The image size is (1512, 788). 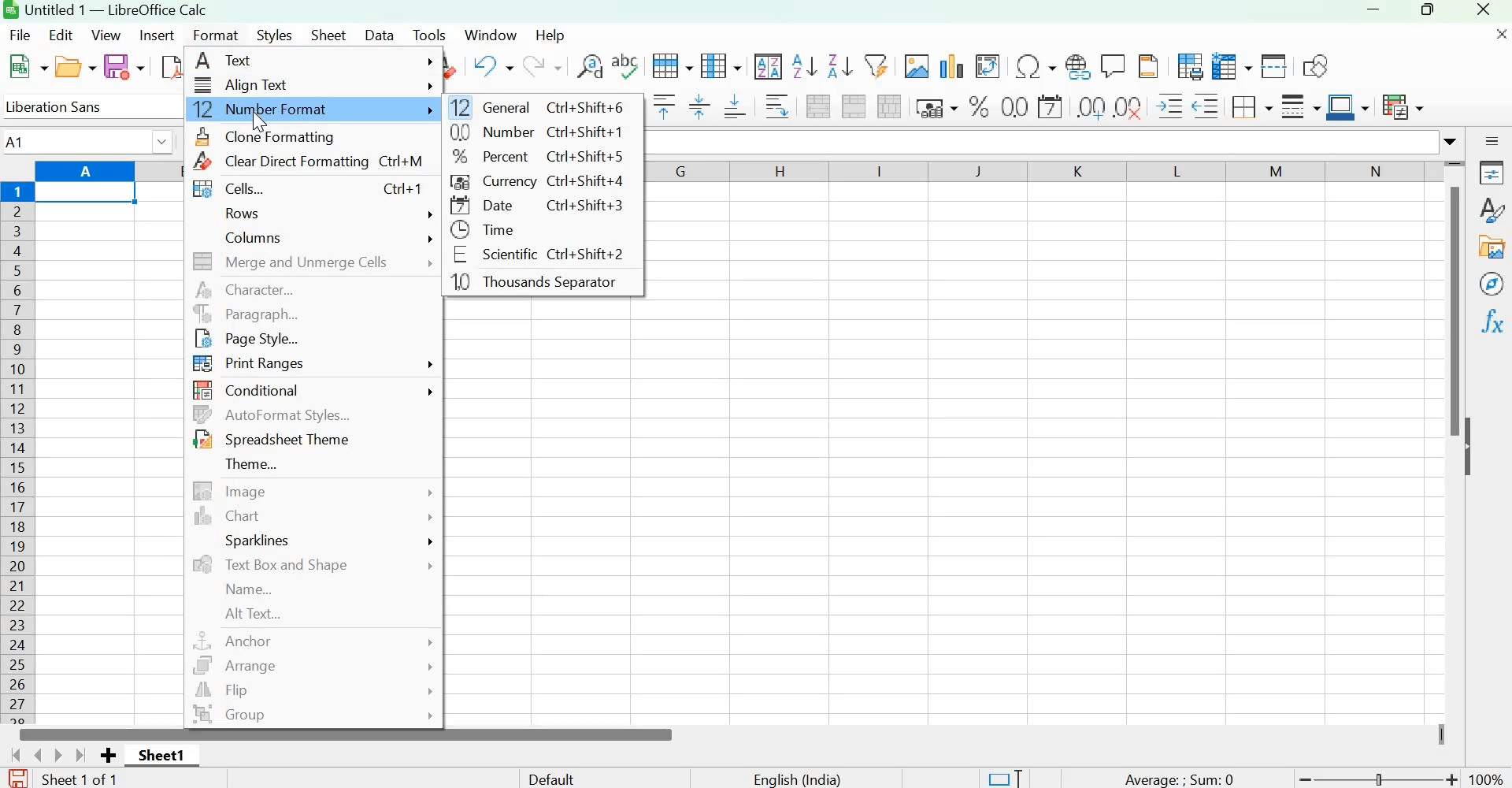 What do you see at coordinates (161, 754) in the screenshot?
I see `Sheet1` at bounding box center [161, 754].